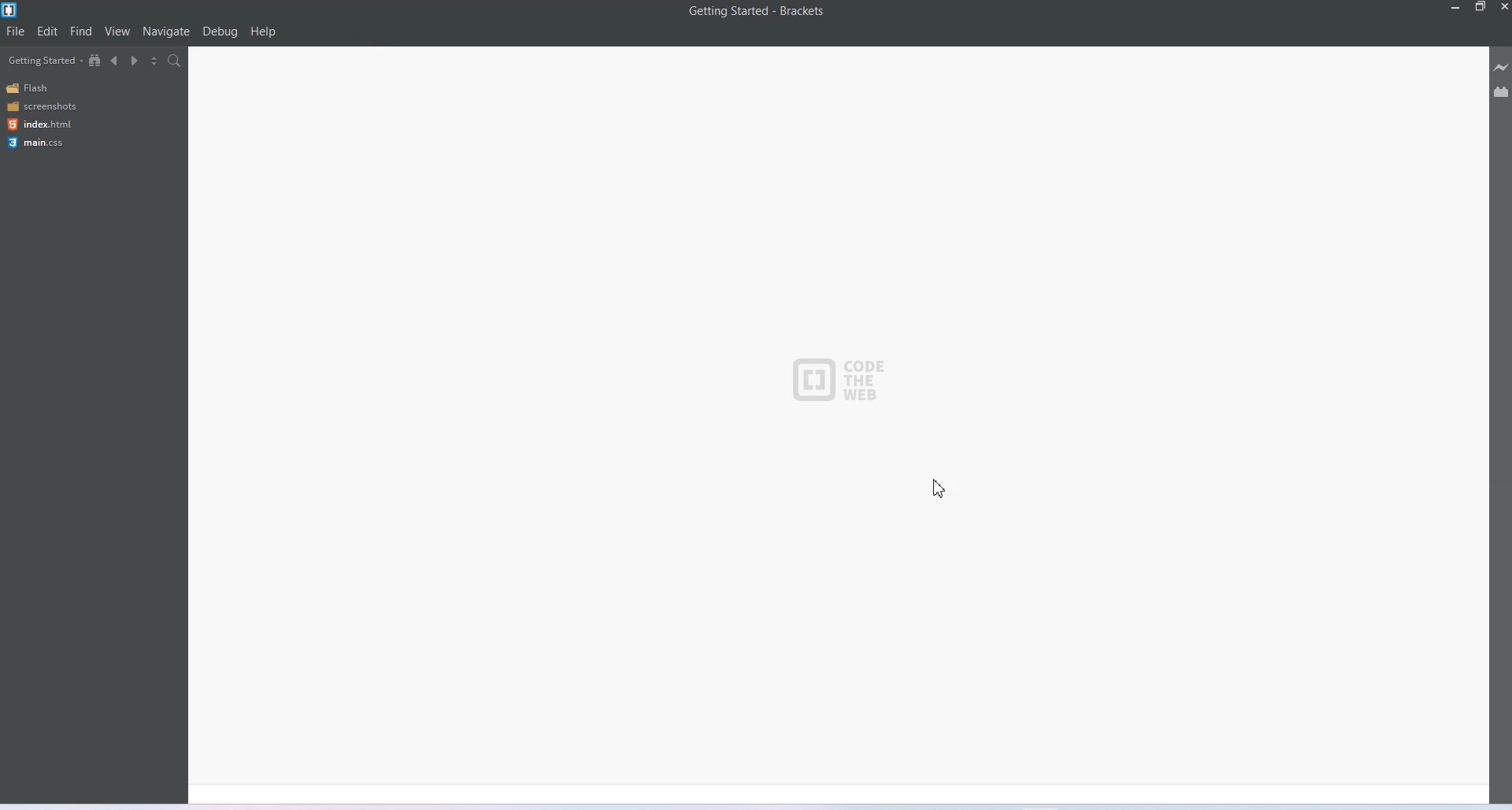 The height and width of the screenshot is (810, 1512). I want to click on Edit, so click(47, 32).